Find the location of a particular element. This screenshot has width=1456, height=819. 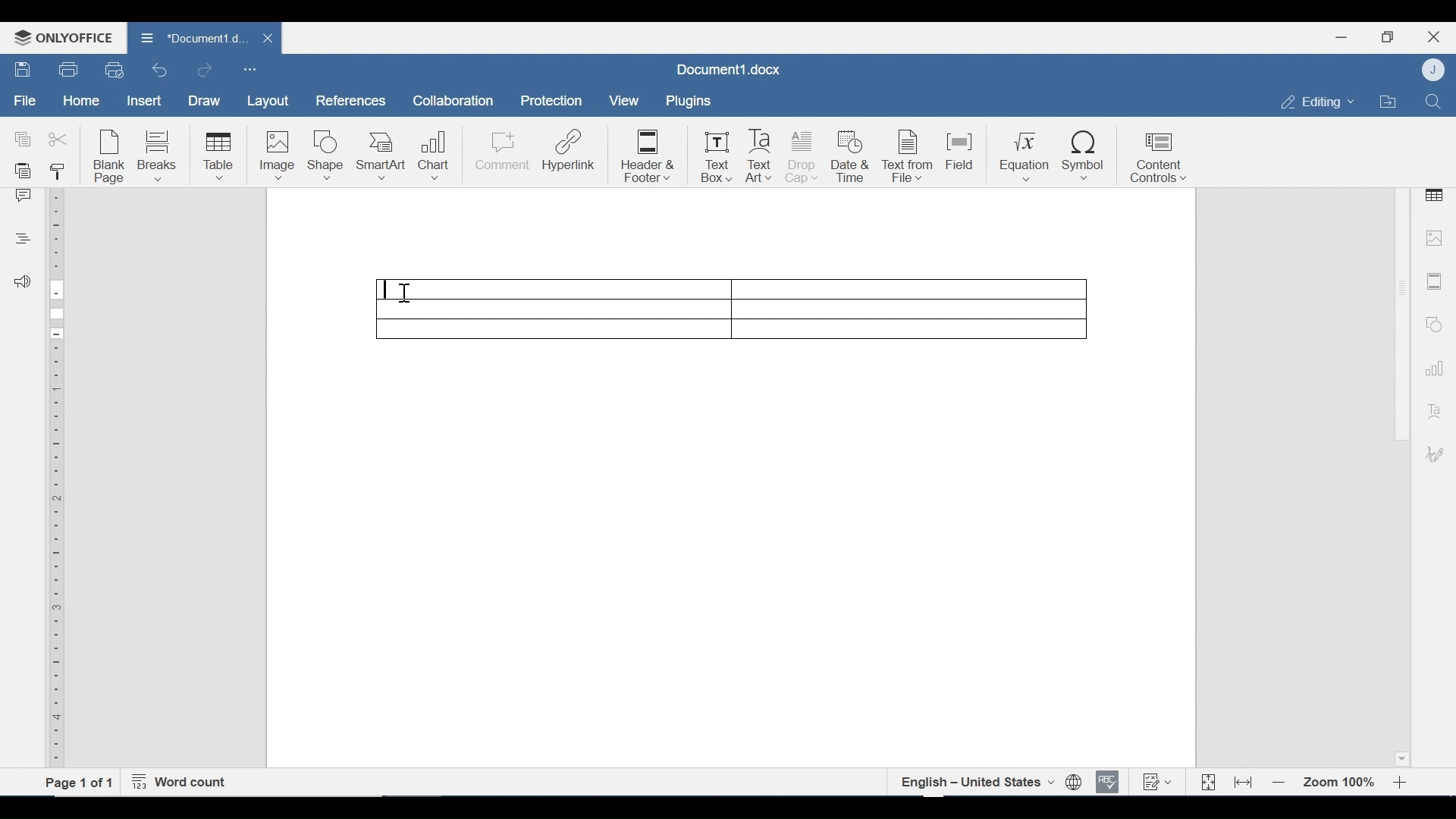

Zoom 100% is located at coordinates (1340, 783).